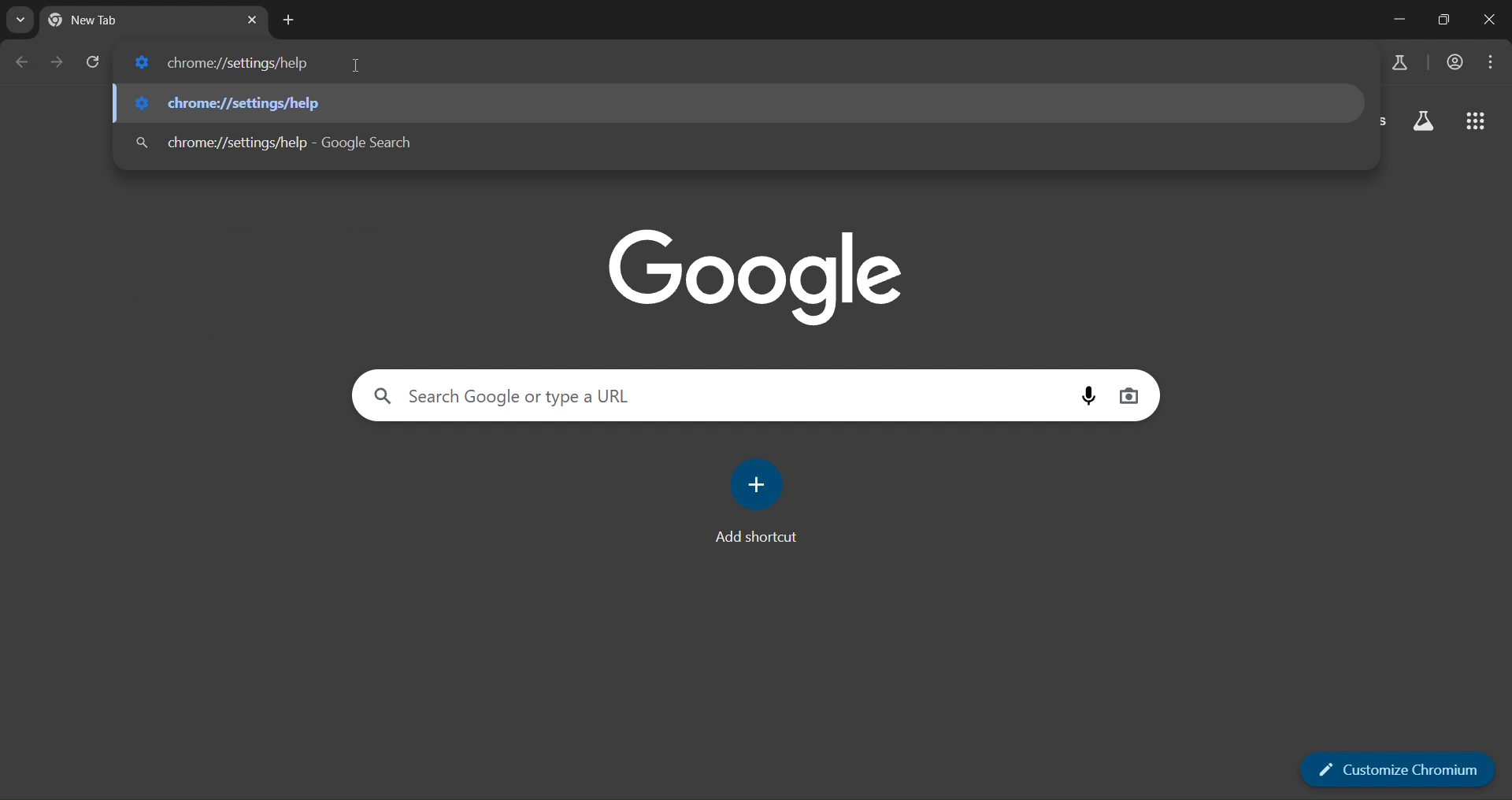 The height and width of the screenshot is (800, 1512). Describe the element at coordinates (758, 276) in the screenshot. I see `google` at that location.